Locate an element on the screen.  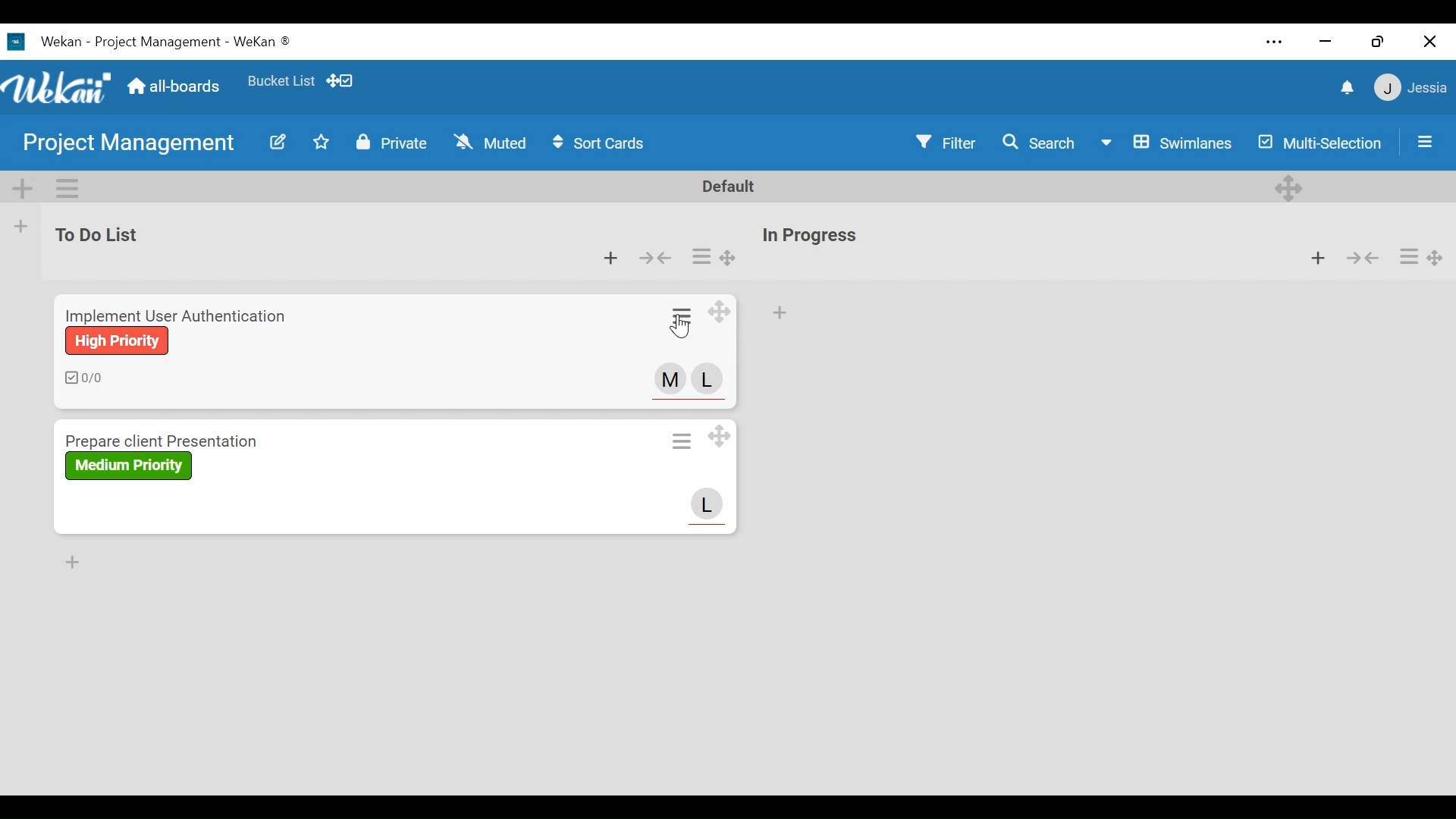
Text is located at coordinates (167, 42).